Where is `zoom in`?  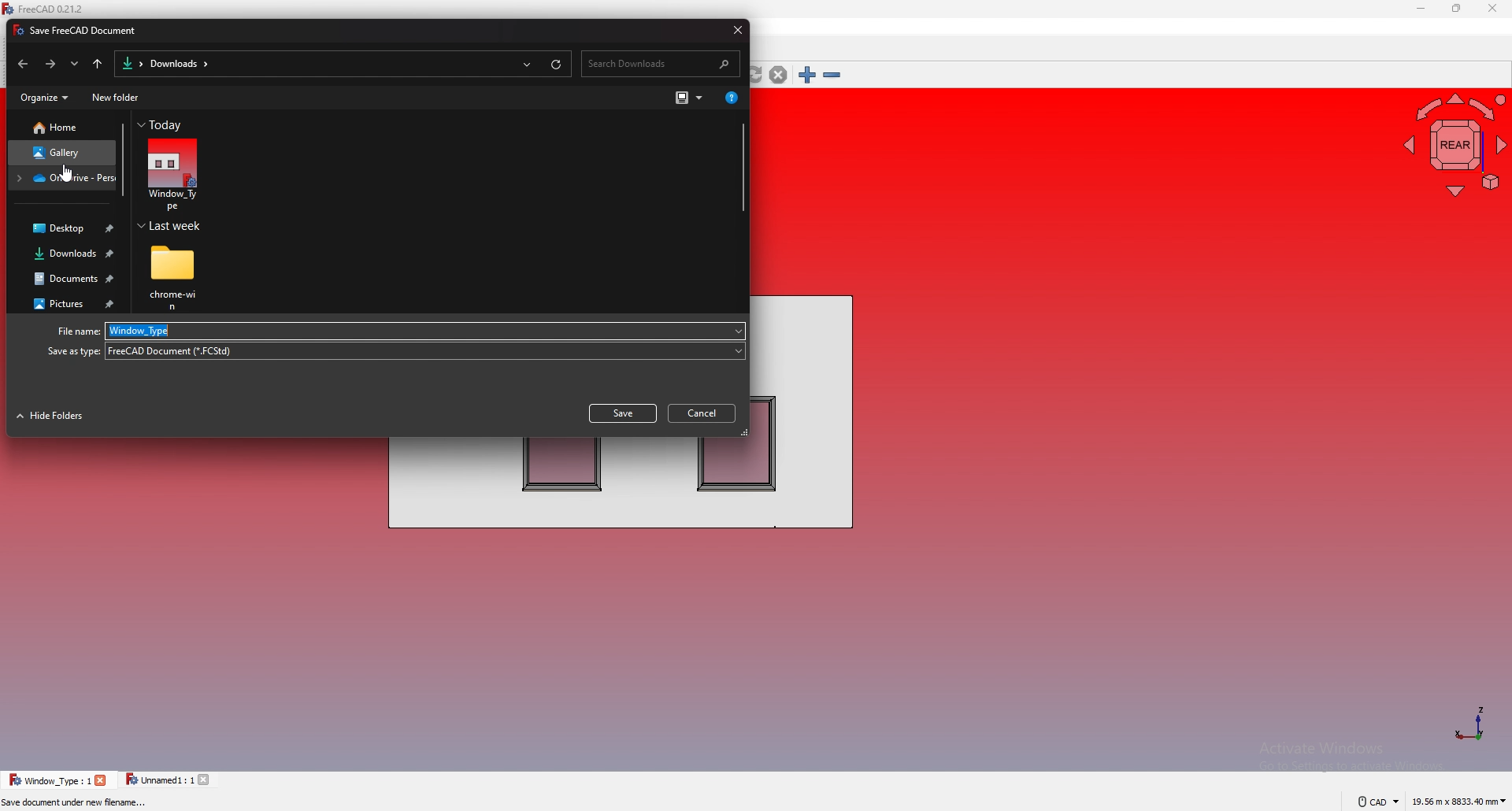
zoom in is located at coordinates (807, 75).